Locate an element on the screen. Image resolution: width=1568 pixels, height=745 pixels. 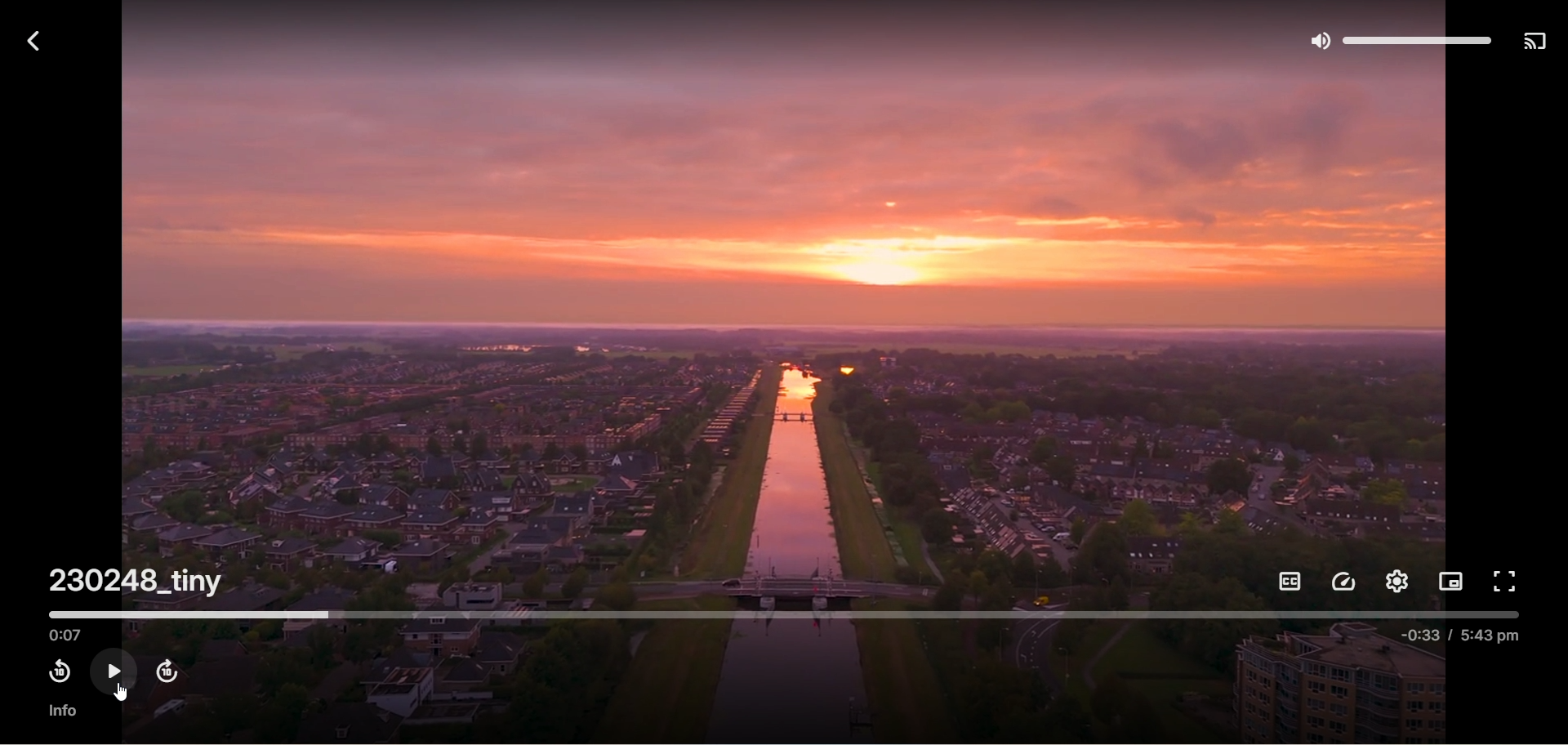
cursor is located at coordinates (122, 694).